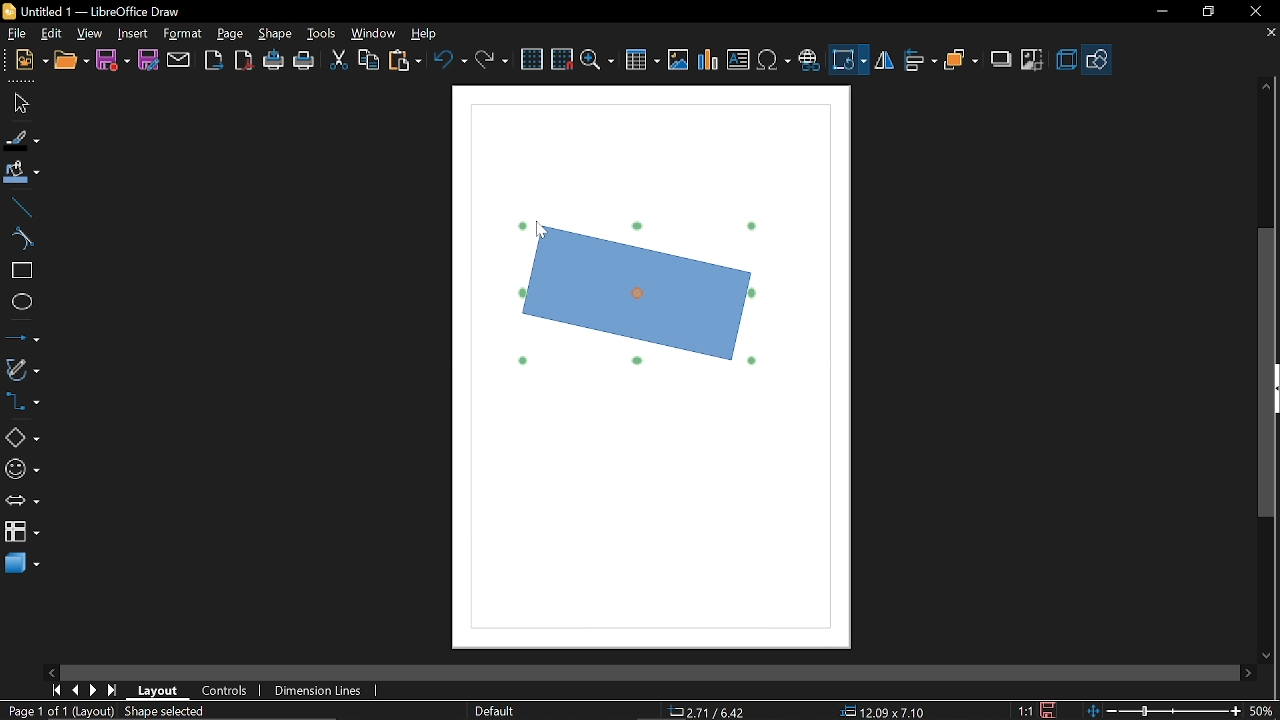 The width and height of the screenshot is (1280, 720). Describe the element at coordinates (158, 691) in the screenshot. I see `Layout` at that location.